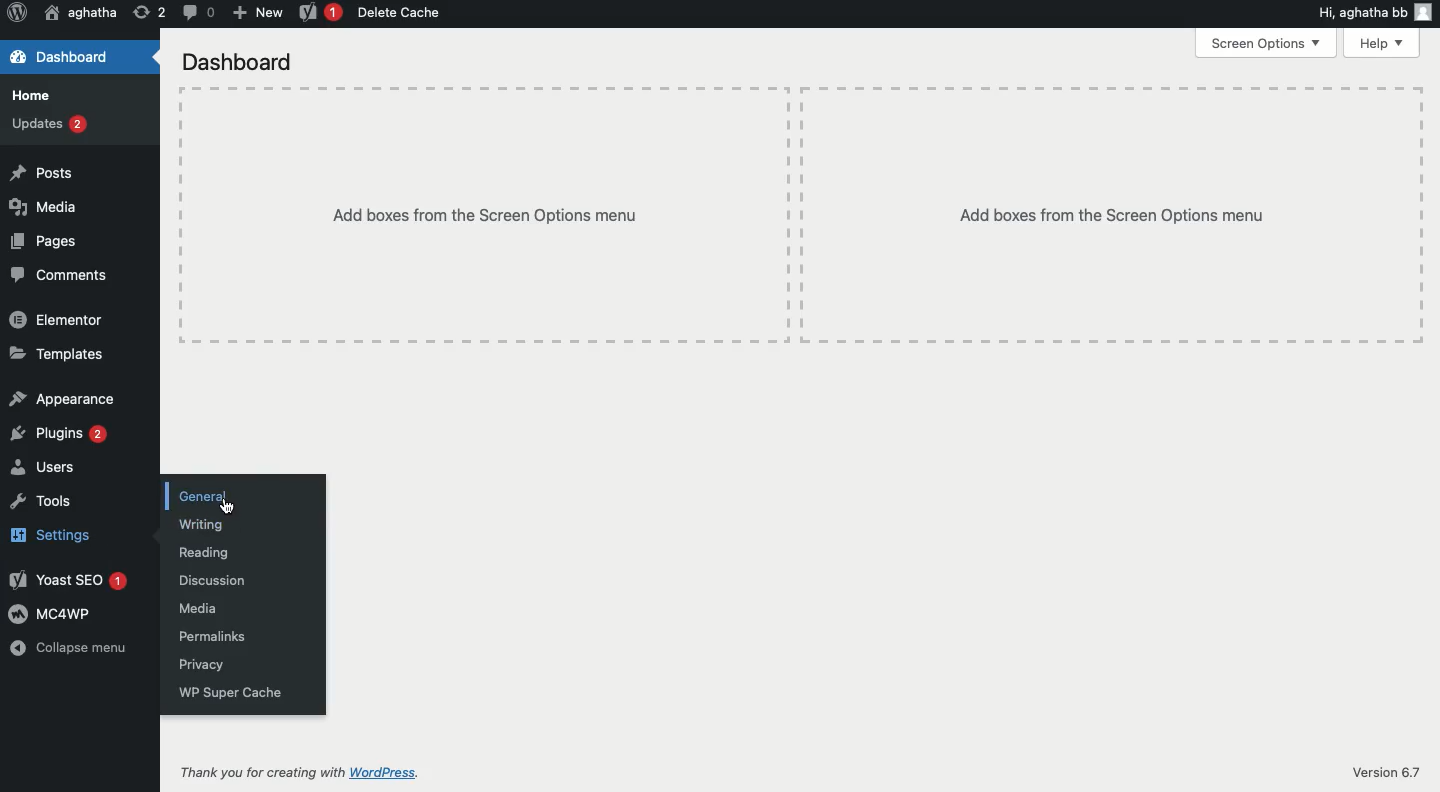 The image size is (1440, 792). I want to click on Table line, so click(803, 87).